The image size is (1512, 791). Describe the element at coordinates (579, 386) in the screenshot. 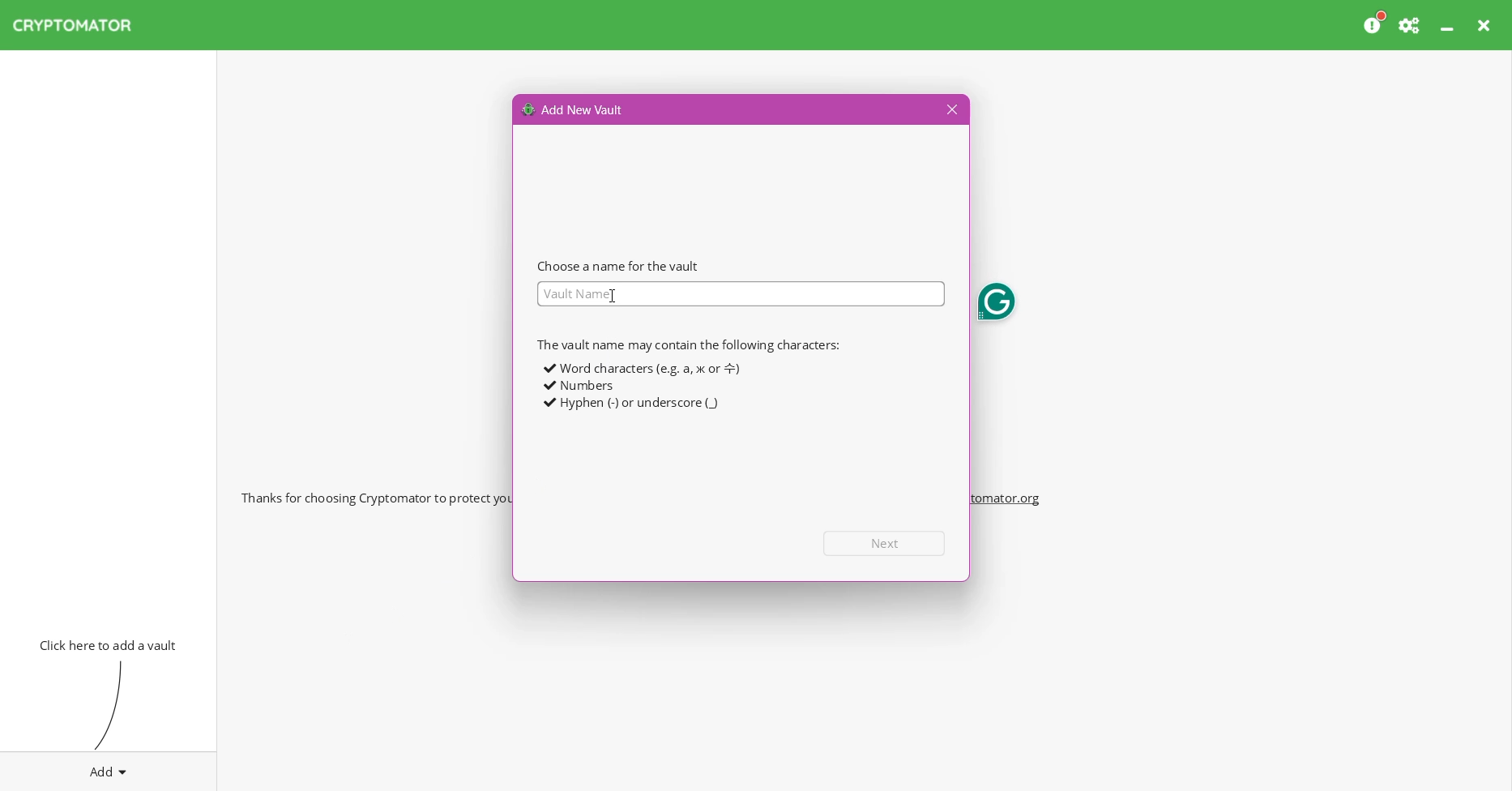

I see `Numbers` at that location.